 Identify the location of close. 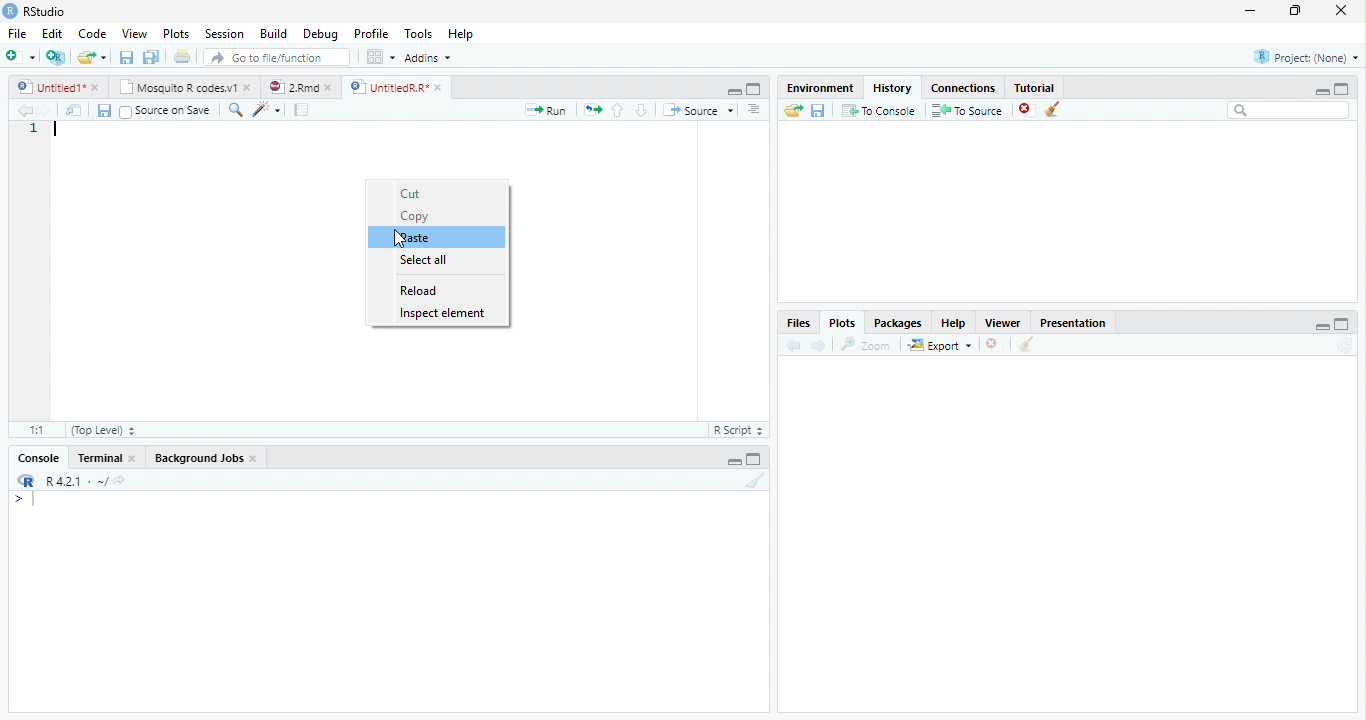
(1342, 10).